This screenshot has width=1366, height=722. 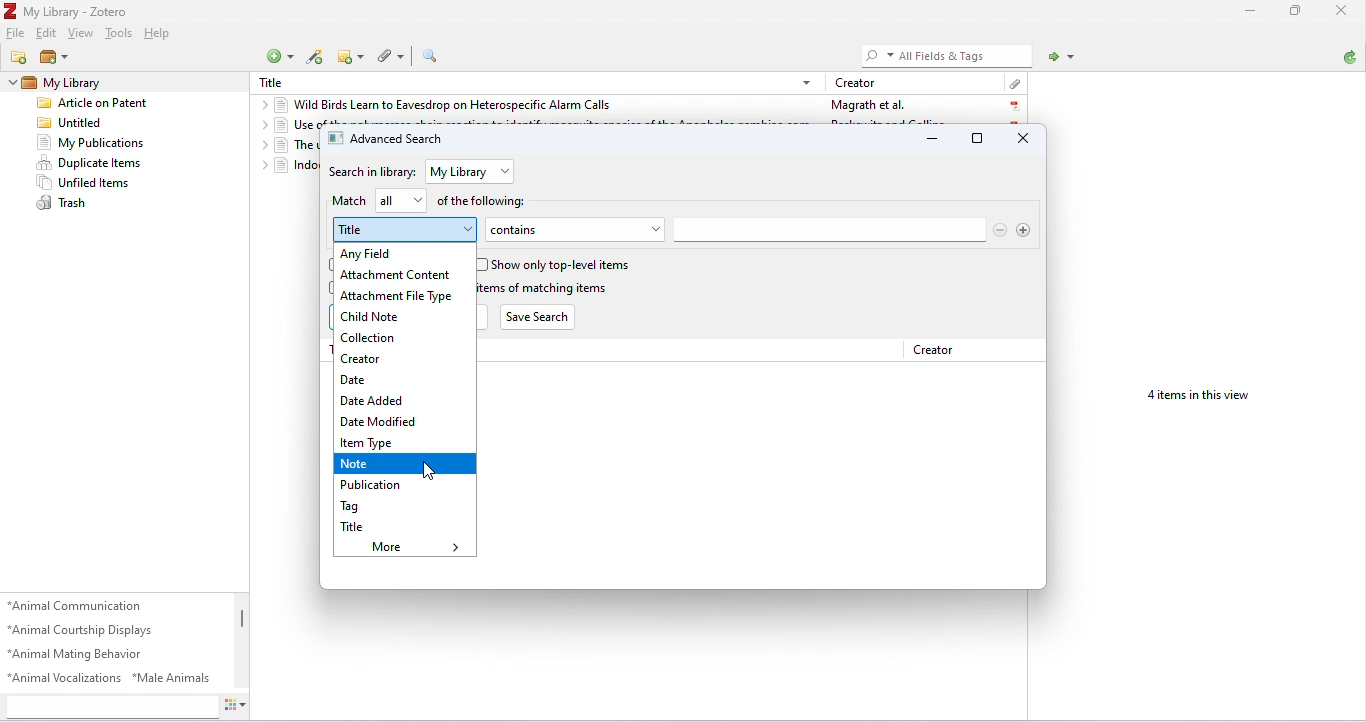 I want to click on untitled, so click(x=73, y=124).